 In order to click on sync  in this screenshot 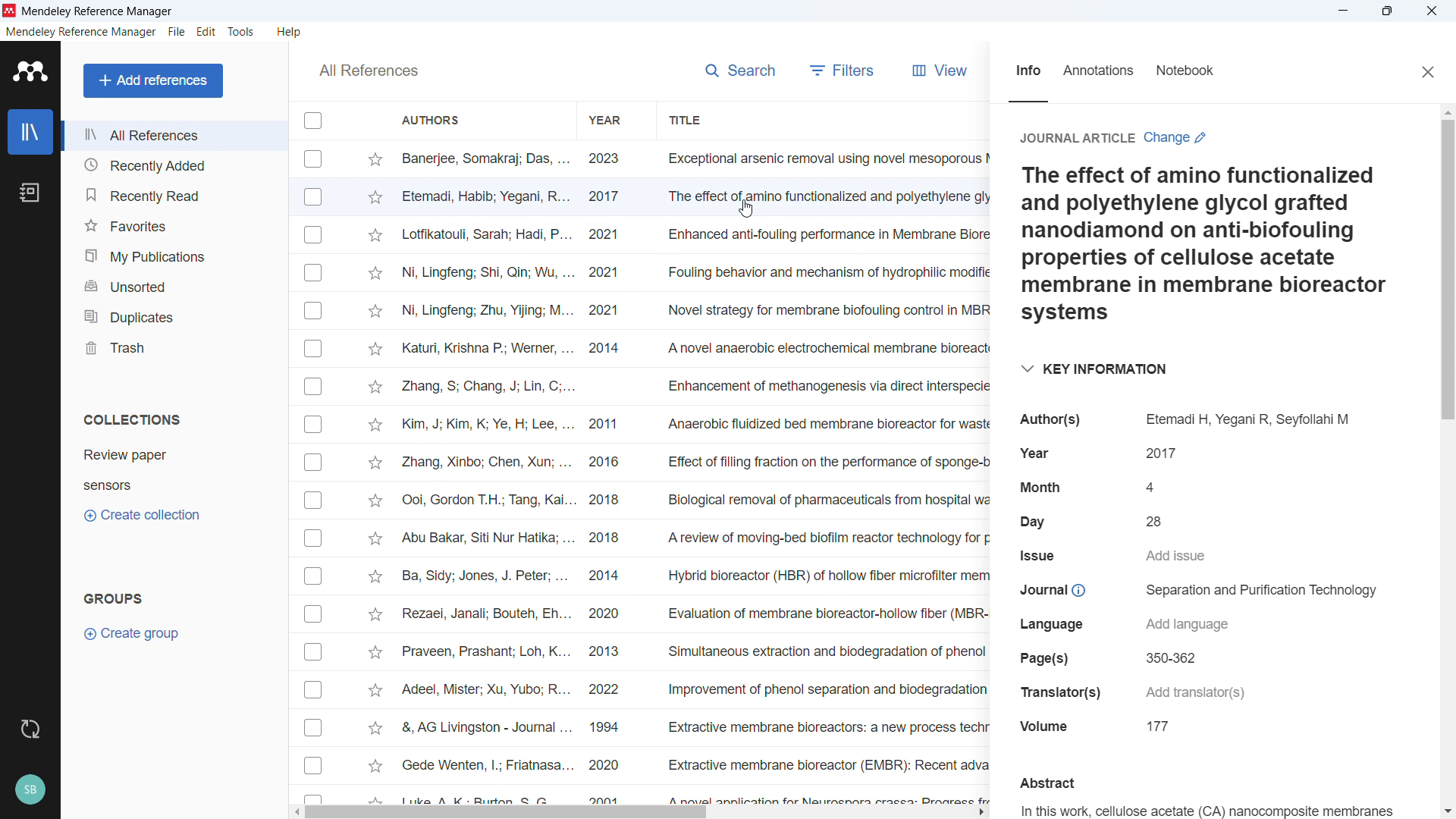, I will do `click(30, 728)`.